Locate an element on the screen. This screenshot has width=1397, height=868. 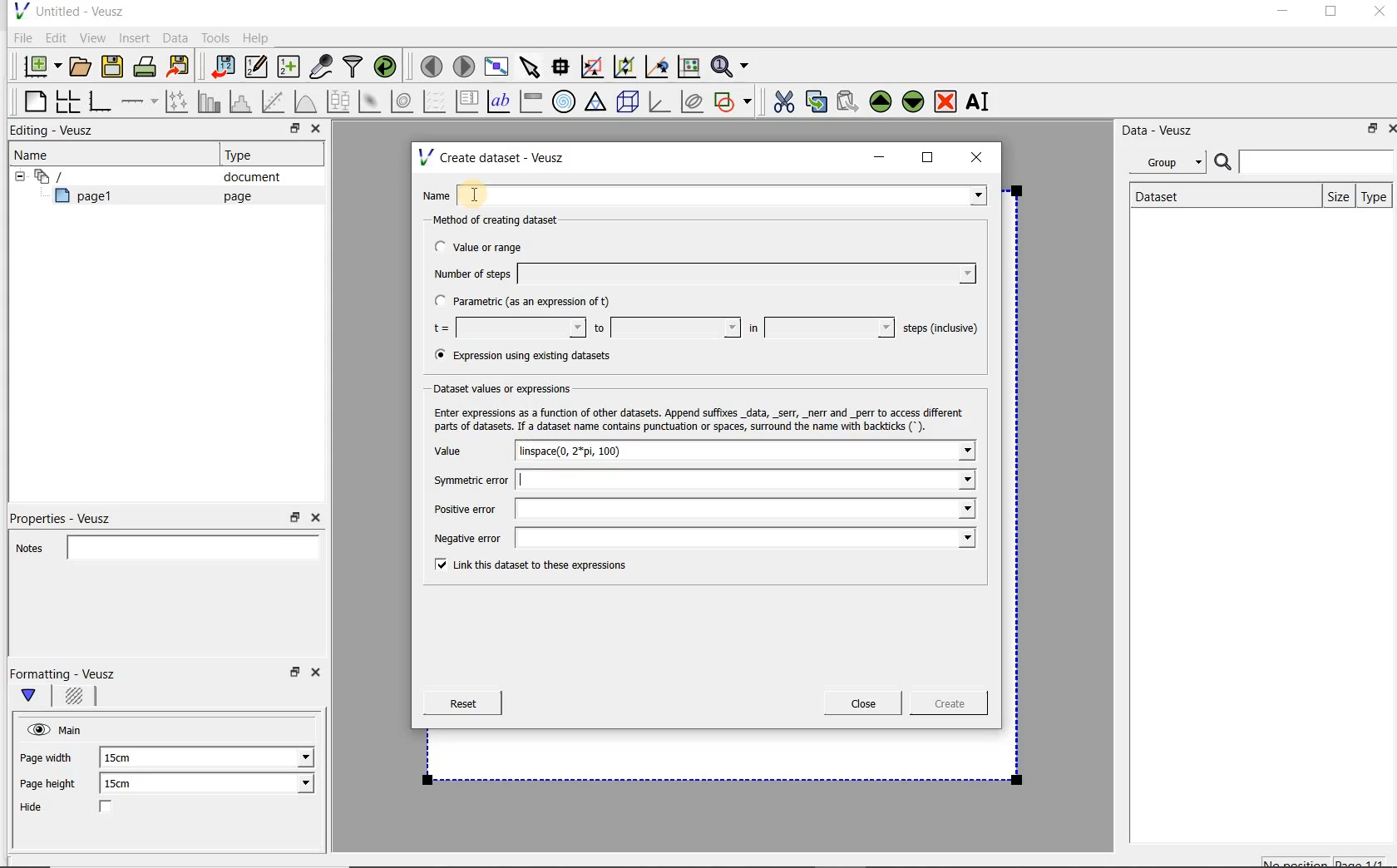
Untitled - Veusz is located at coordinates (67, 10).